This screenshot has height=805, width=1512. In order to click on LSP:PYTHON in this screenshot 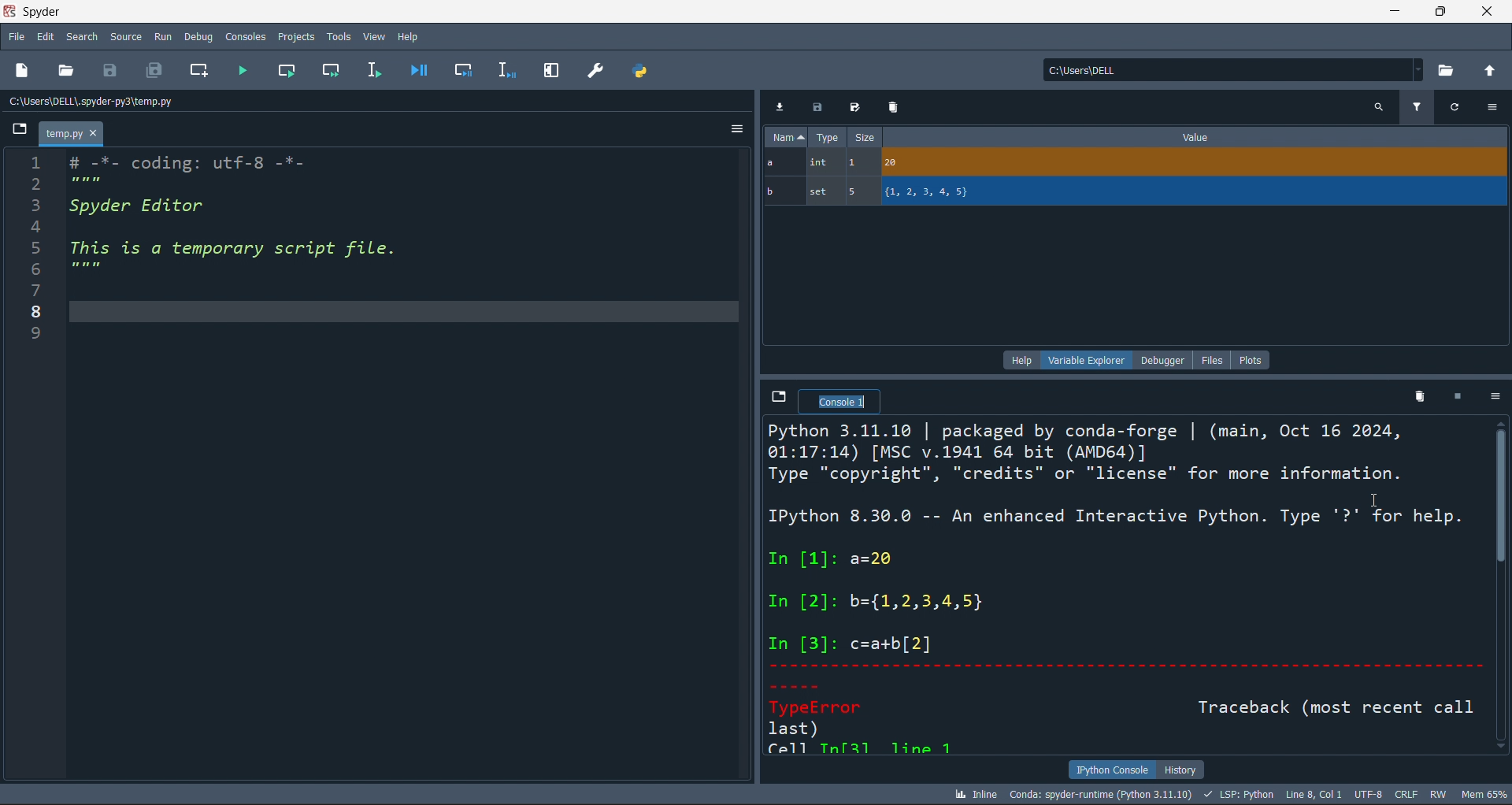, I will do `click(1236, 795)`.